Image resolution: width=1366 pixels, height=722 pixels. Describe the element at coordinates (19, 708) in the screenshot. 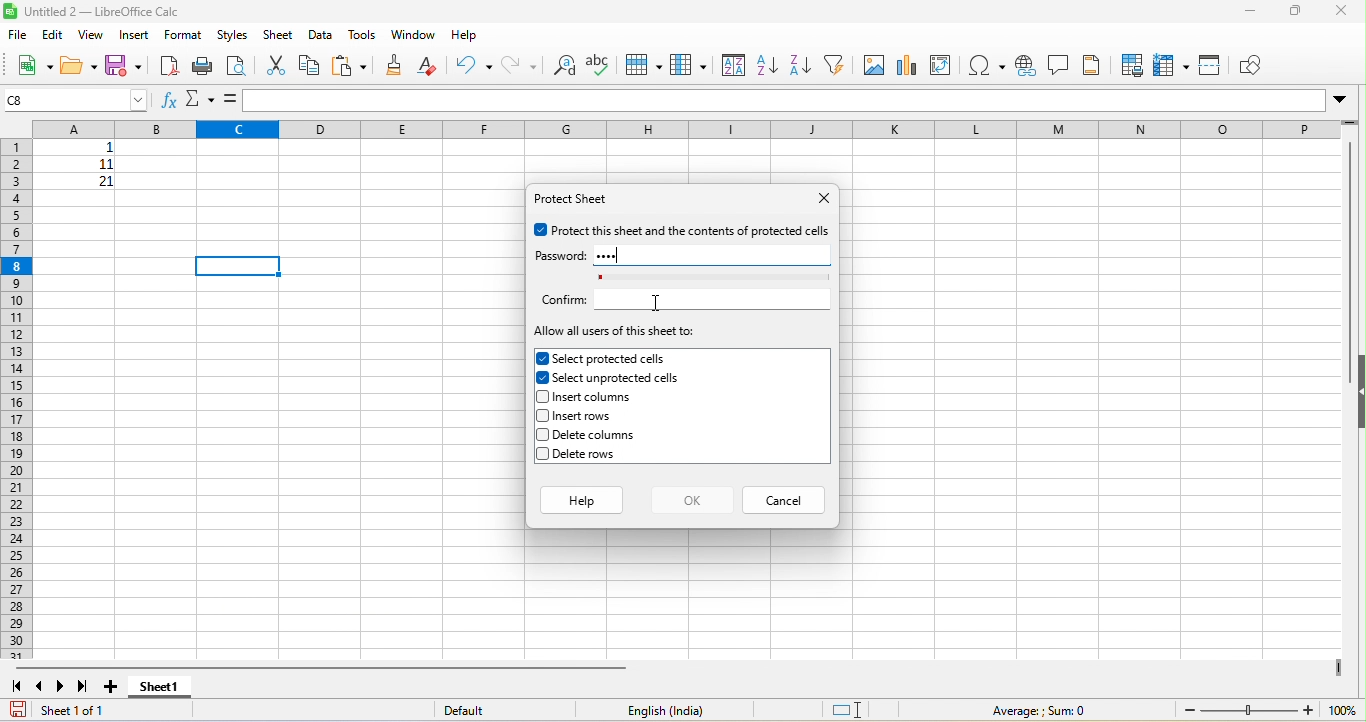

I see `save` at that location.